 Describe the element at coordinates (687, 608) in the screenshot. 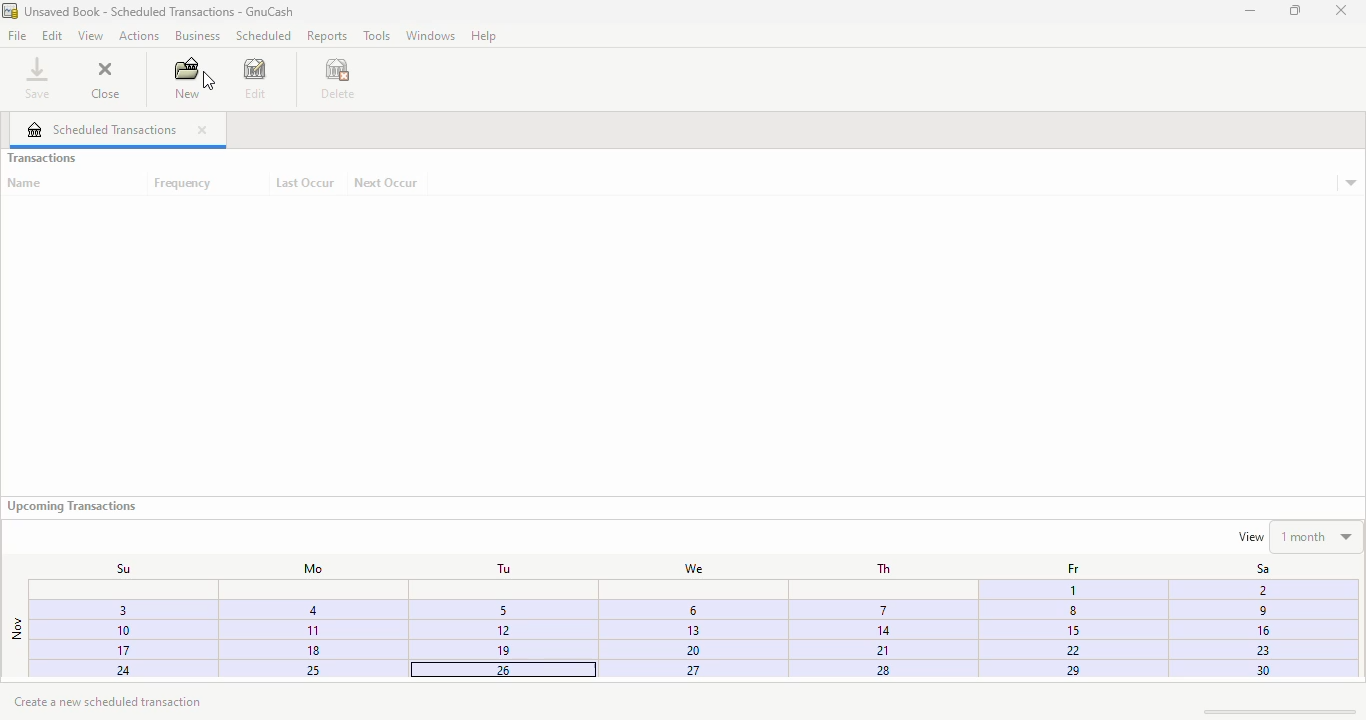

I see `3` at that location.